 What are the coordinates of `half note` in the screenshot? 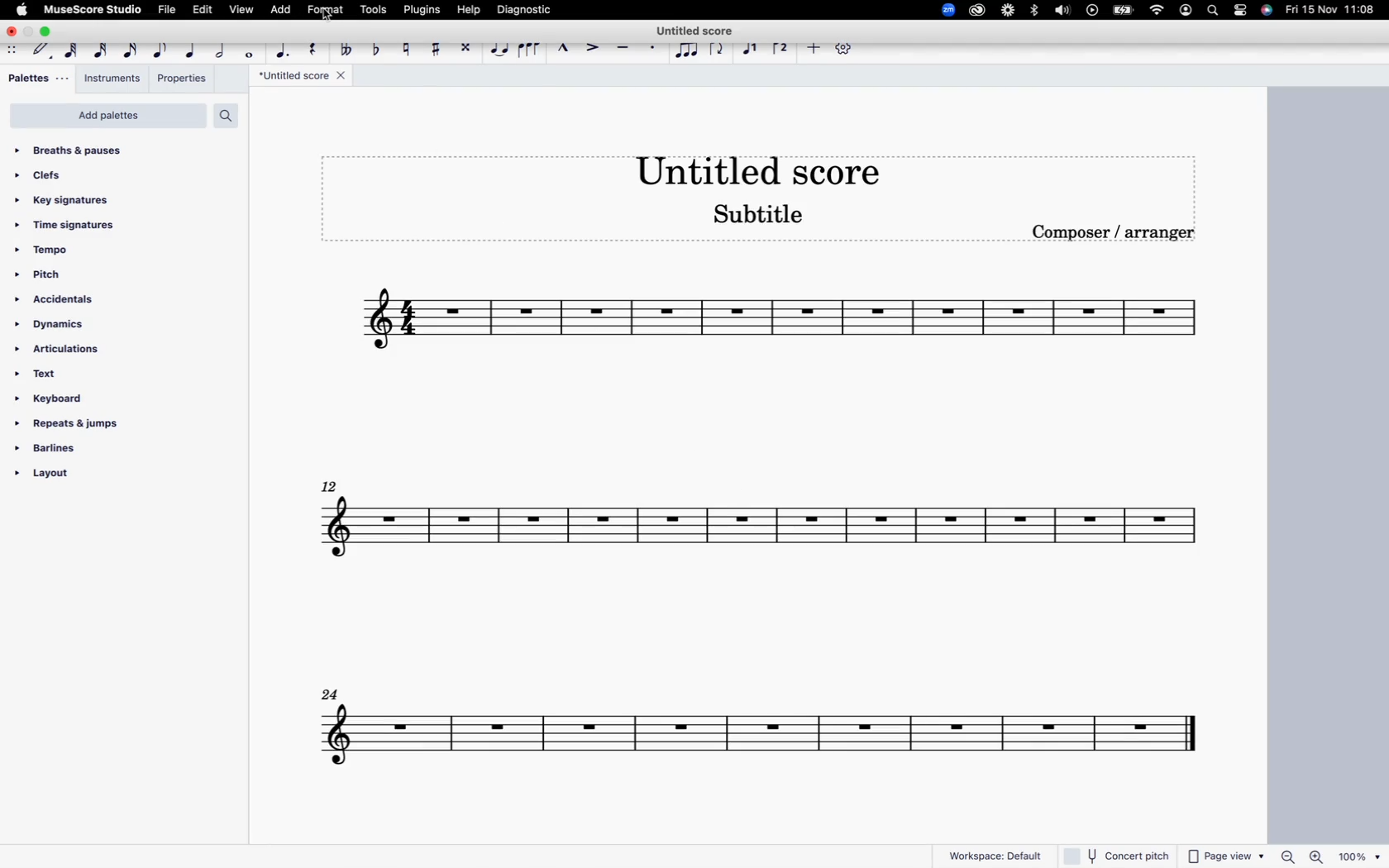 It's located at (218, 50).